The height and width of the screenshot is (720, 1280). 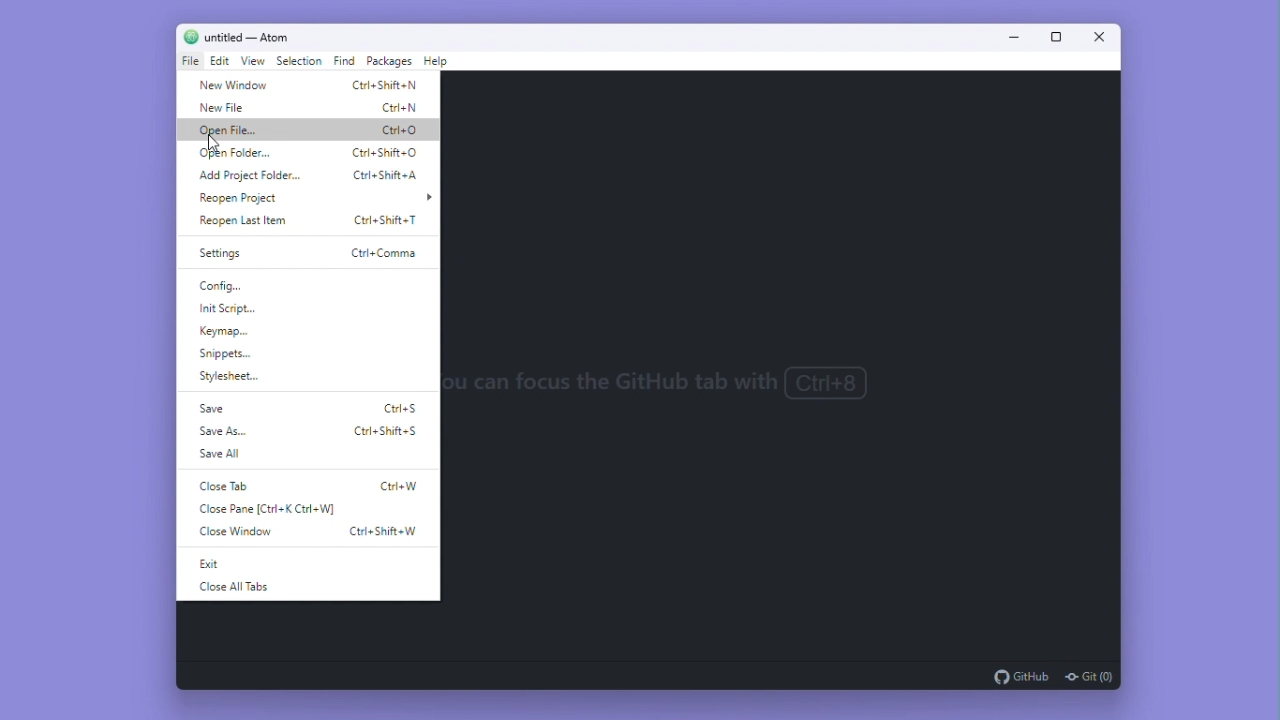 What do you see at coordinates (216, 139) in the screenshot?
I see `cursor` at bounding box center [216, 139].